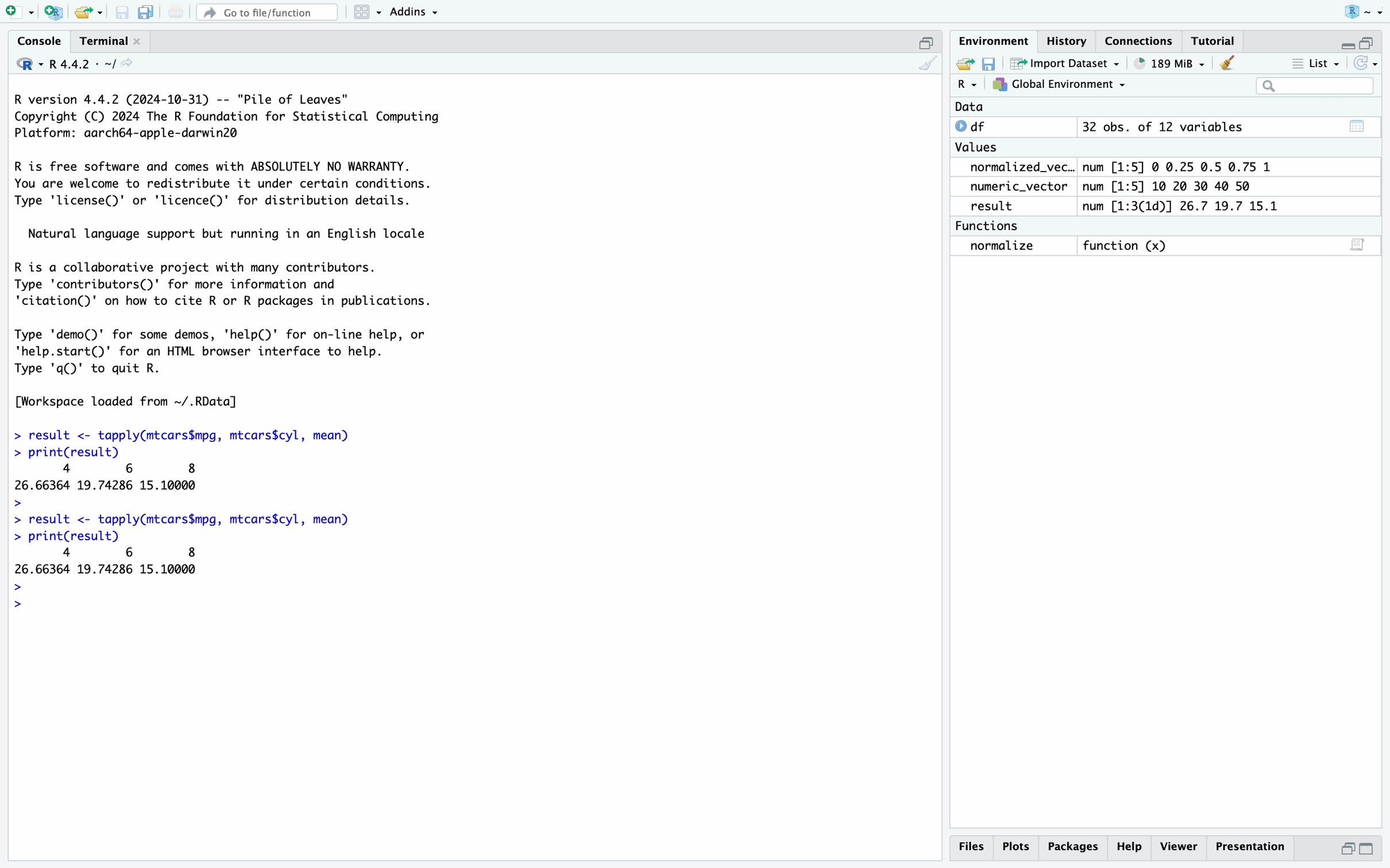  What do you see at coordinates (268, 12) in the screenshot?
I see `Go to file/function` at bounding box center [268, 12].